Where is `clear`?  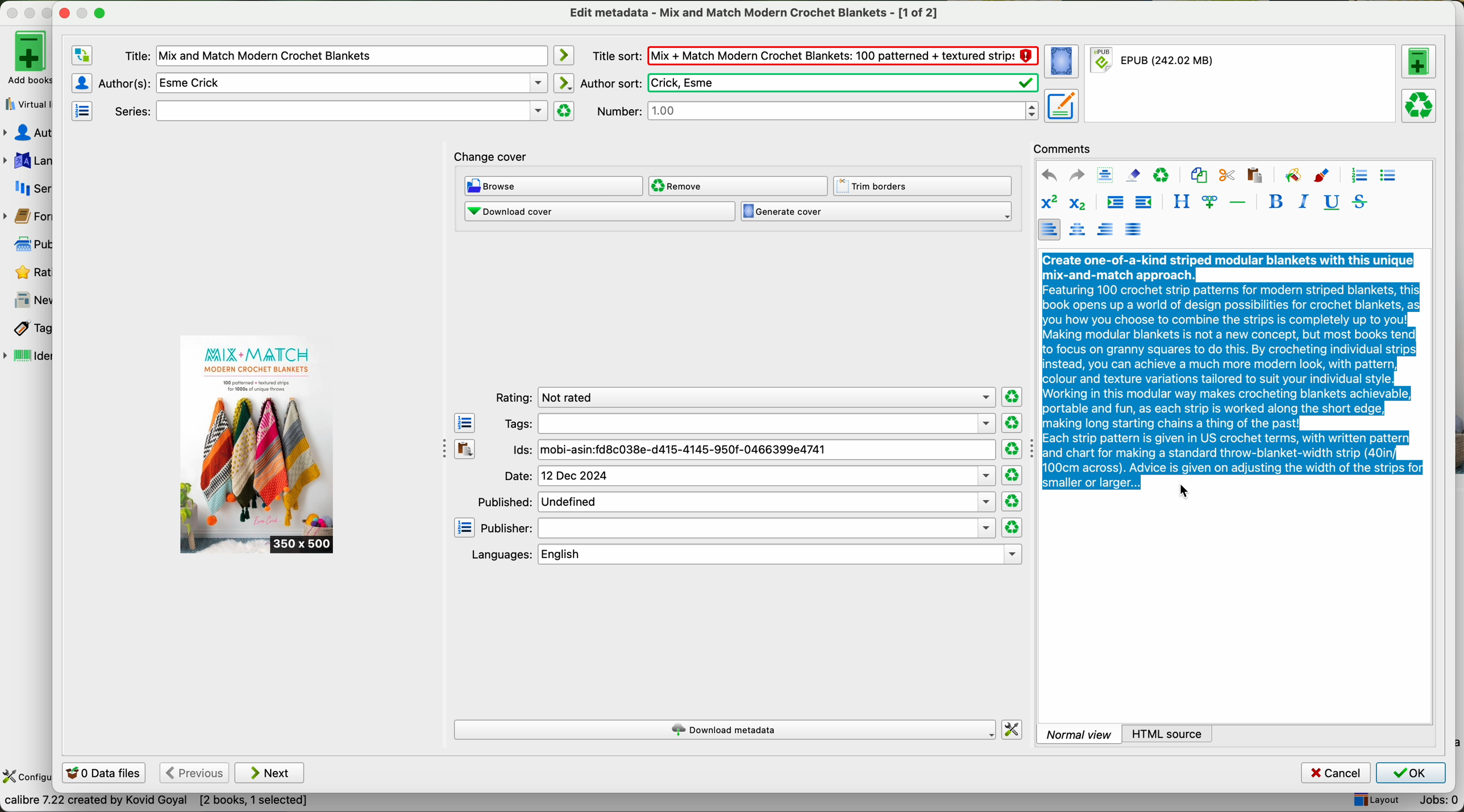
clear is located at coordinates (1162, 176).